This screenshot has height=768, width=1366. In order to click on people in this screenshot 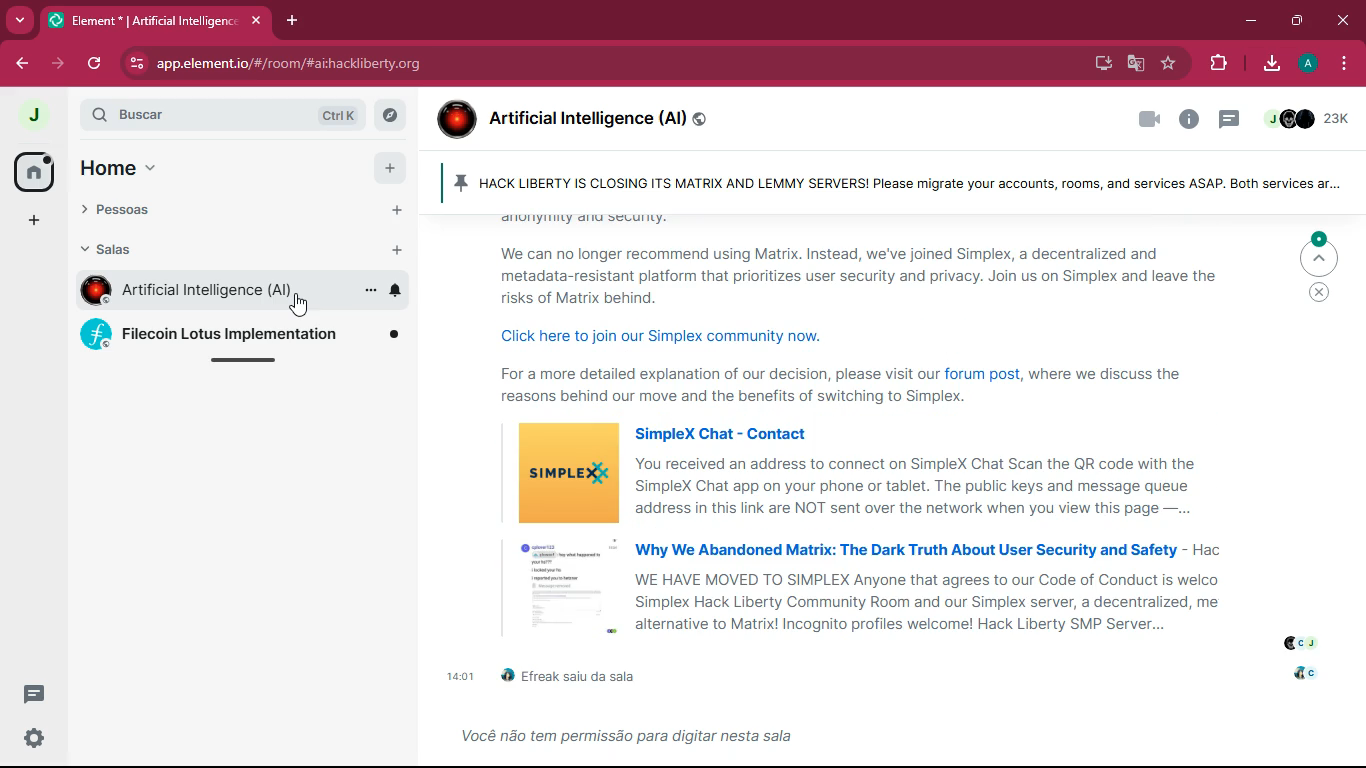, I will do `click(1311, 117)`.